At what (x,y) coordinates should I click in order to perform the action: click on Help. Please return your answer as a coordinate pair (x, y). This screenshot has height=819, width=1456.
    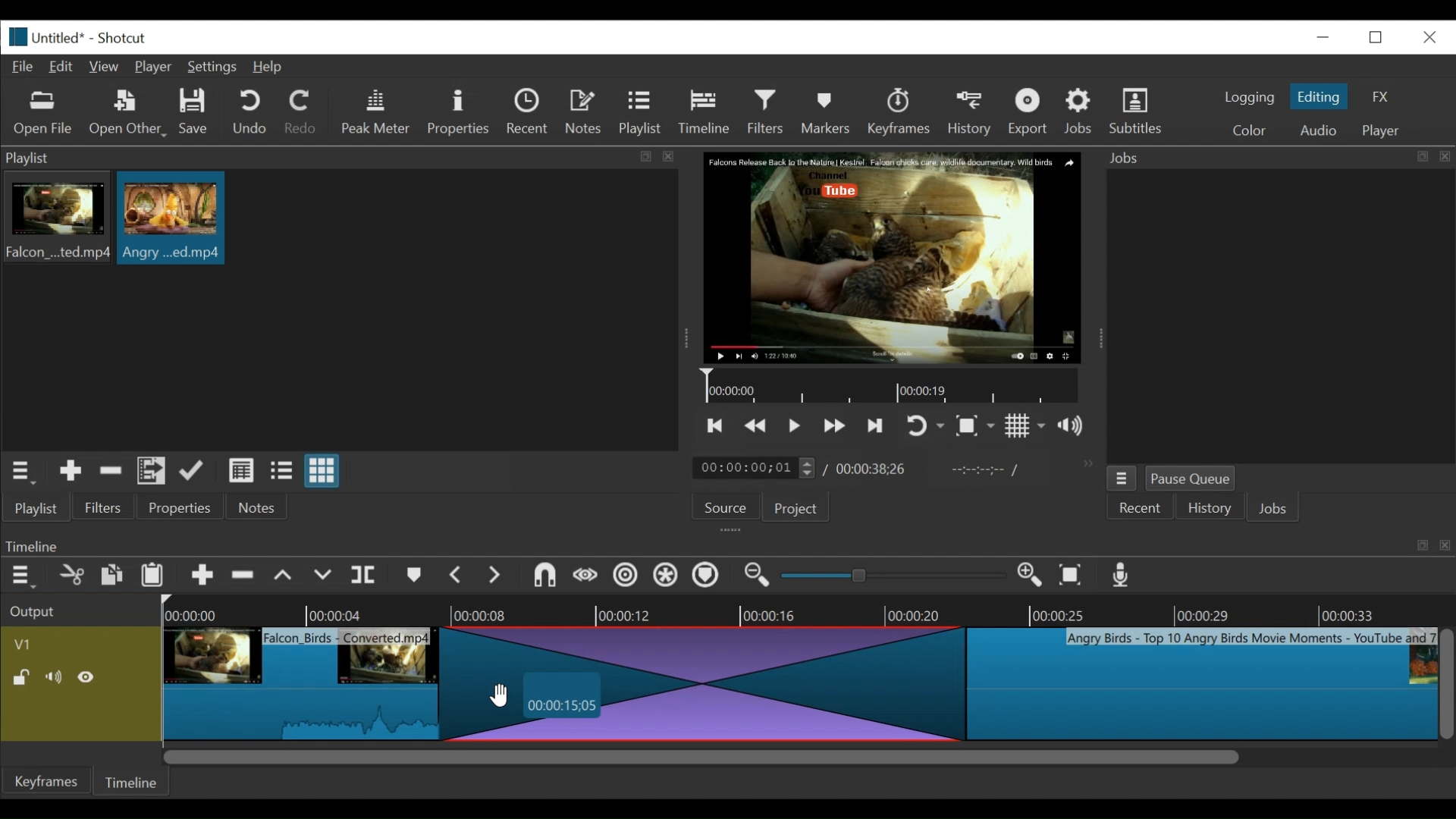
    Looking at the image, I should click on (268, 67).